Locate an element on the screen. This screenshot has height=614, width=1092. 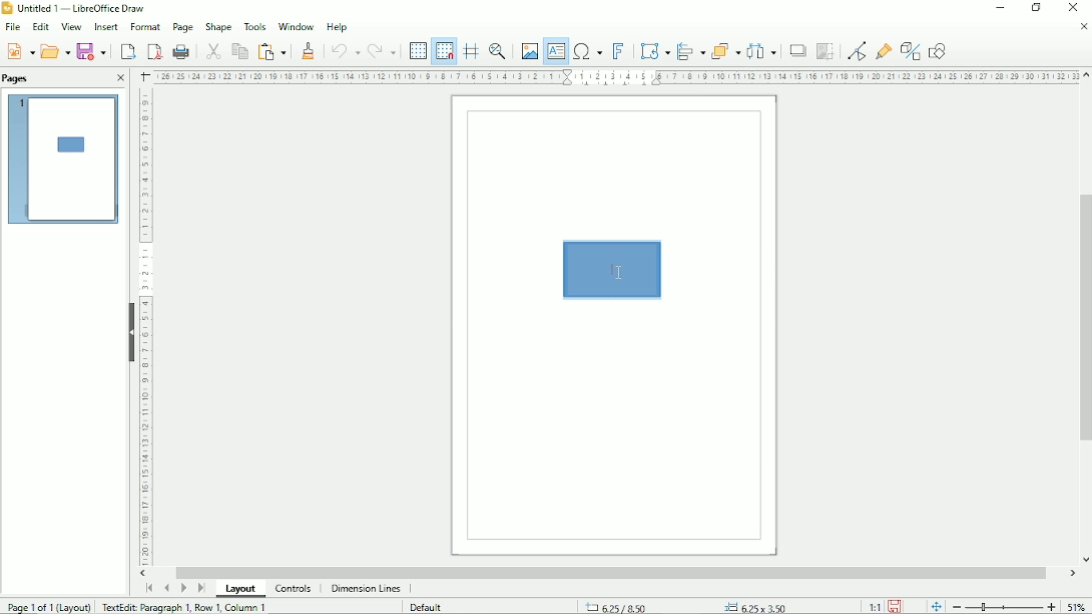
Scroll to first page is located at coordinates (149, 587).